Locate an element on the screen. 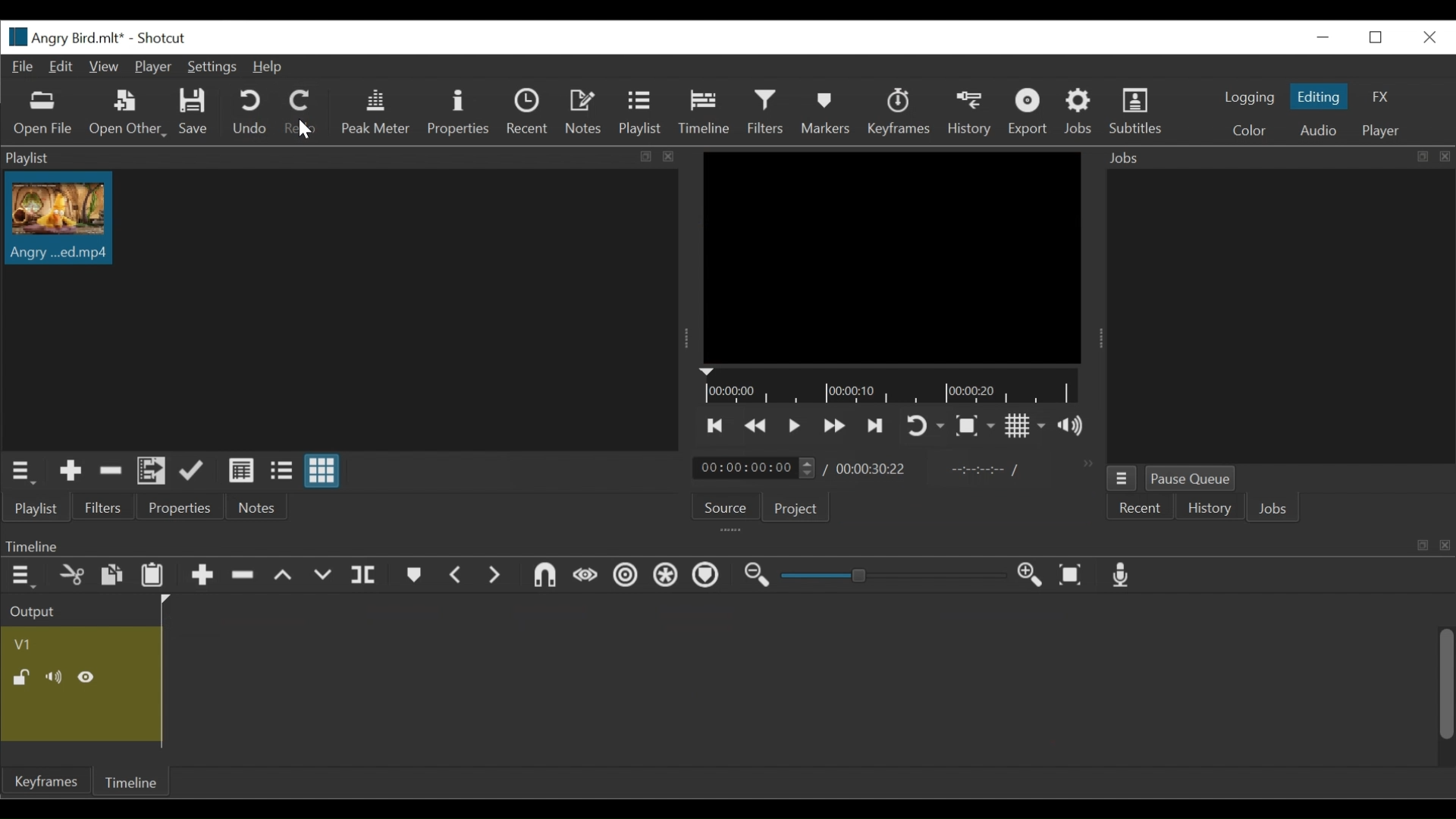 The height and width of the screenshot is (819, 1456). lift is located at coordinates (283, 576).